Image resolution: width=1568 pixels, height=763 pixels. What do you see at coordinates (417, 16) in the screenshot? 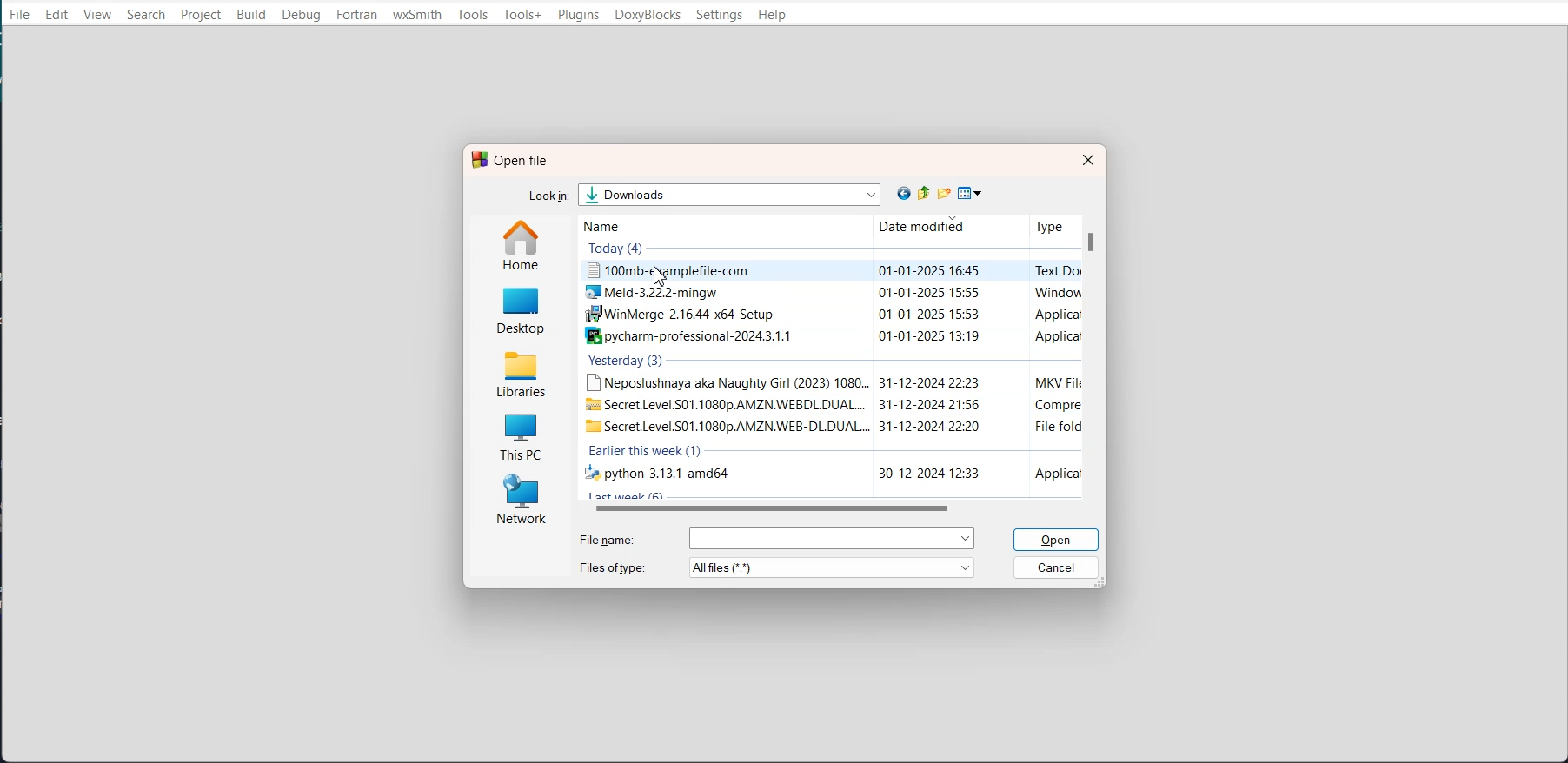
I see `wxSmith` at bounding box center [417, 16].